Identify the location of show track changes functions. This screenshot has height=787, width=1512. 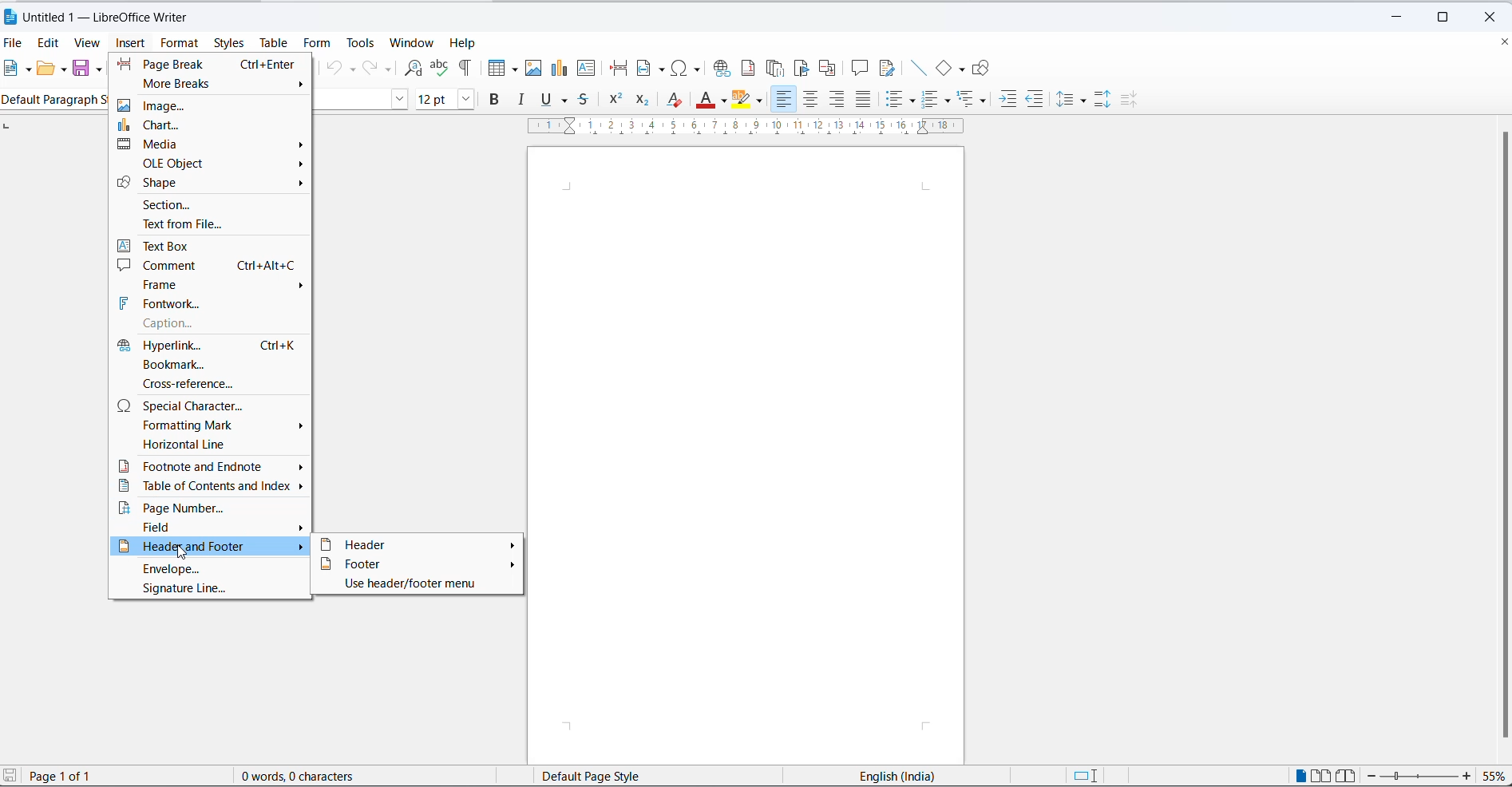
(888, 69).